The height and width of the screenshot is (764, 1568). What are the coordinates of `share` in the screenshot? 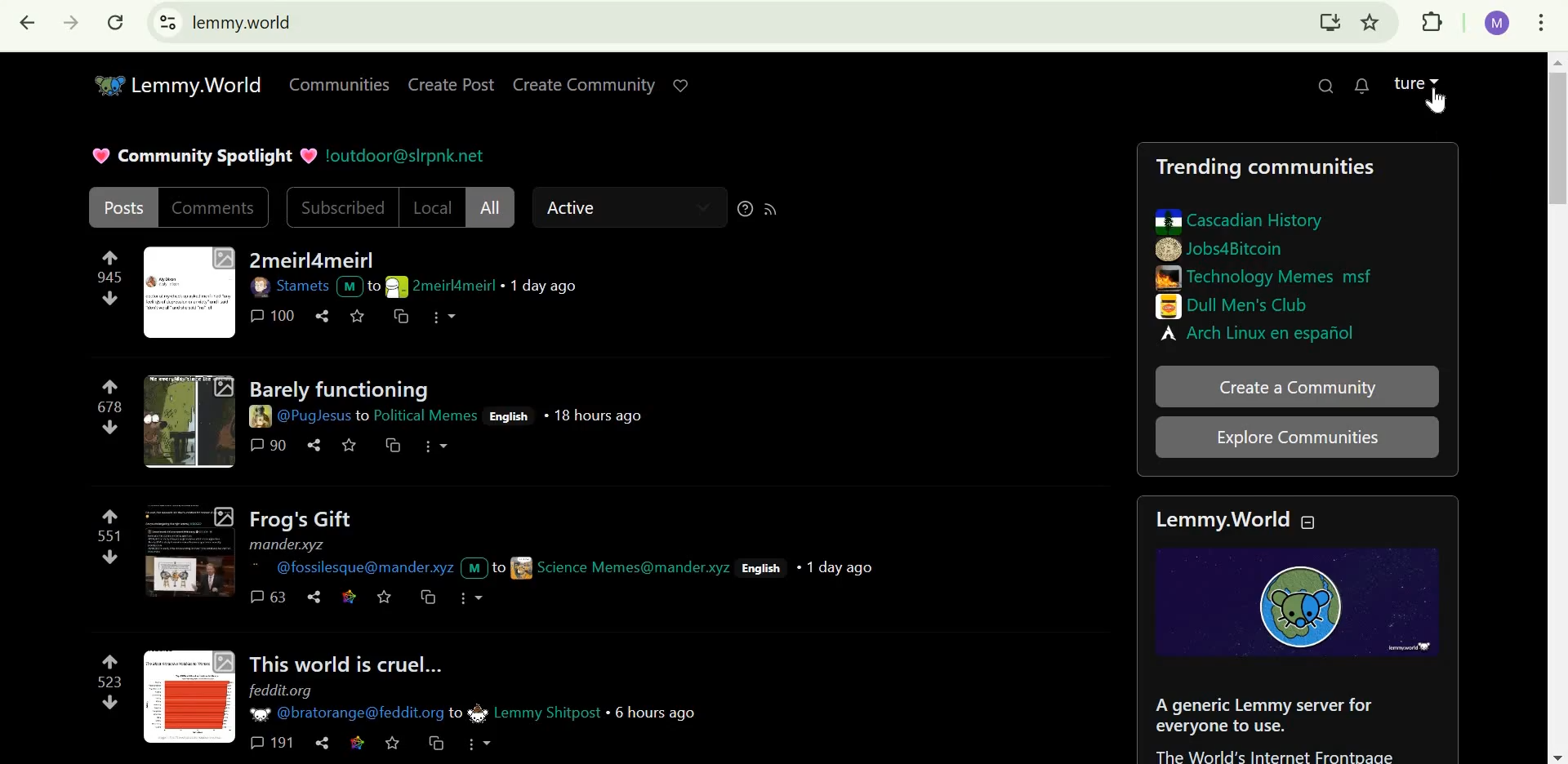 It's located at (325, 315).